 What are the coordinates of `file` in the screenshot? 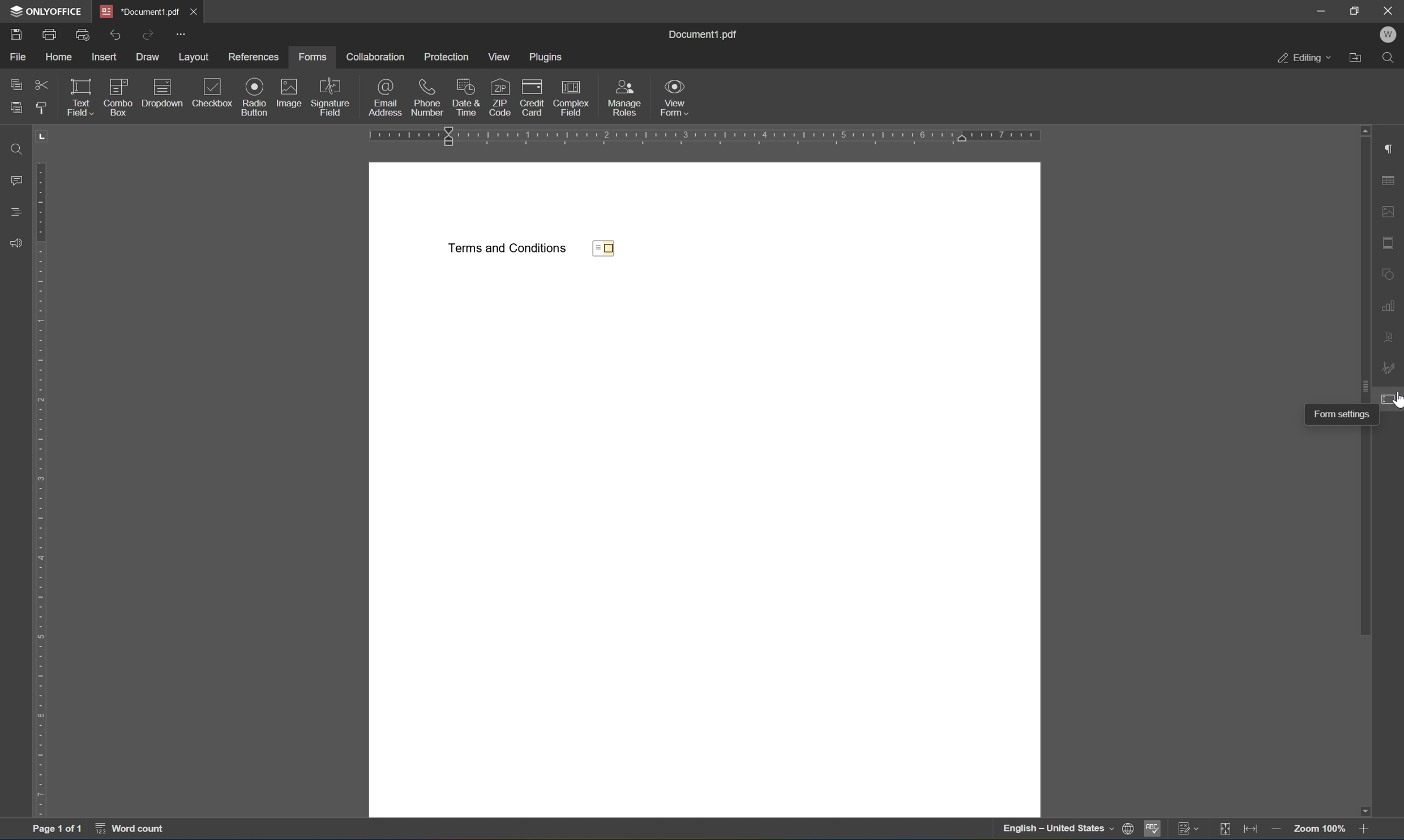 It's located at (20, 56).